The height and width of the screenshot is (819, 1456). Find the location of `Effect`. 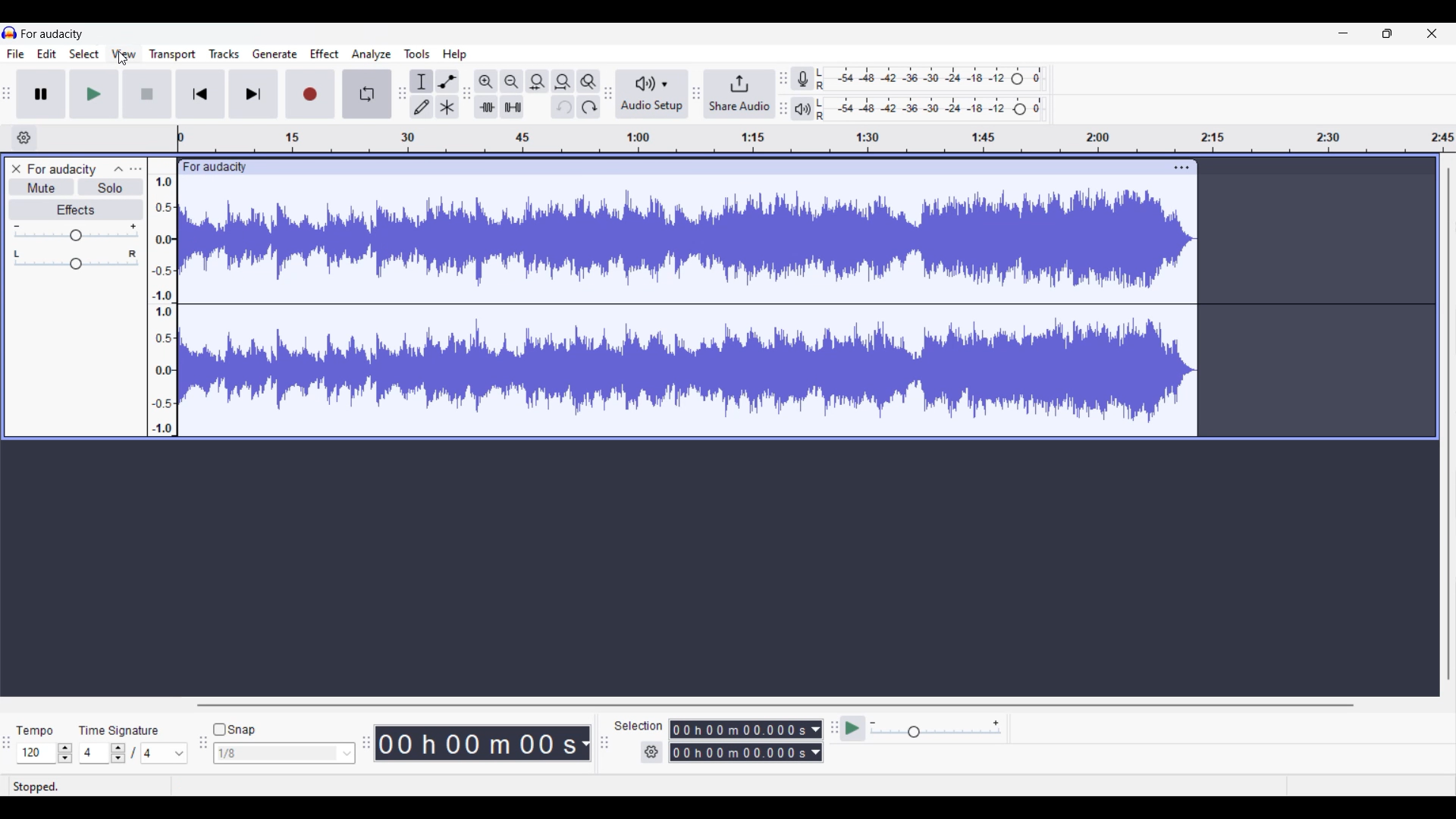

Effect is located at coordinates (325, 55).